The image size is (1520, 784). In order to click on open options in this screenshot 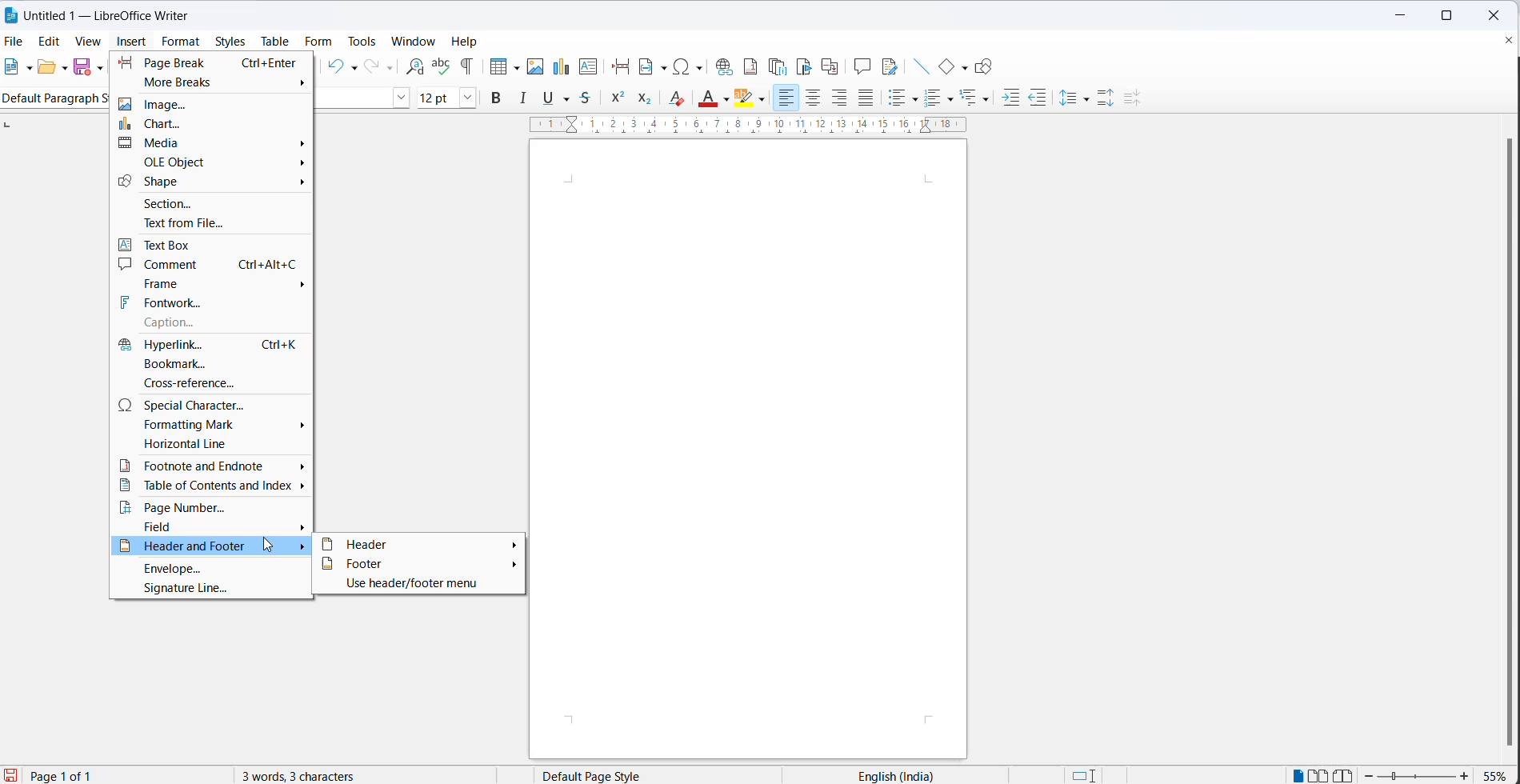, I will do `click(59, 69)`.